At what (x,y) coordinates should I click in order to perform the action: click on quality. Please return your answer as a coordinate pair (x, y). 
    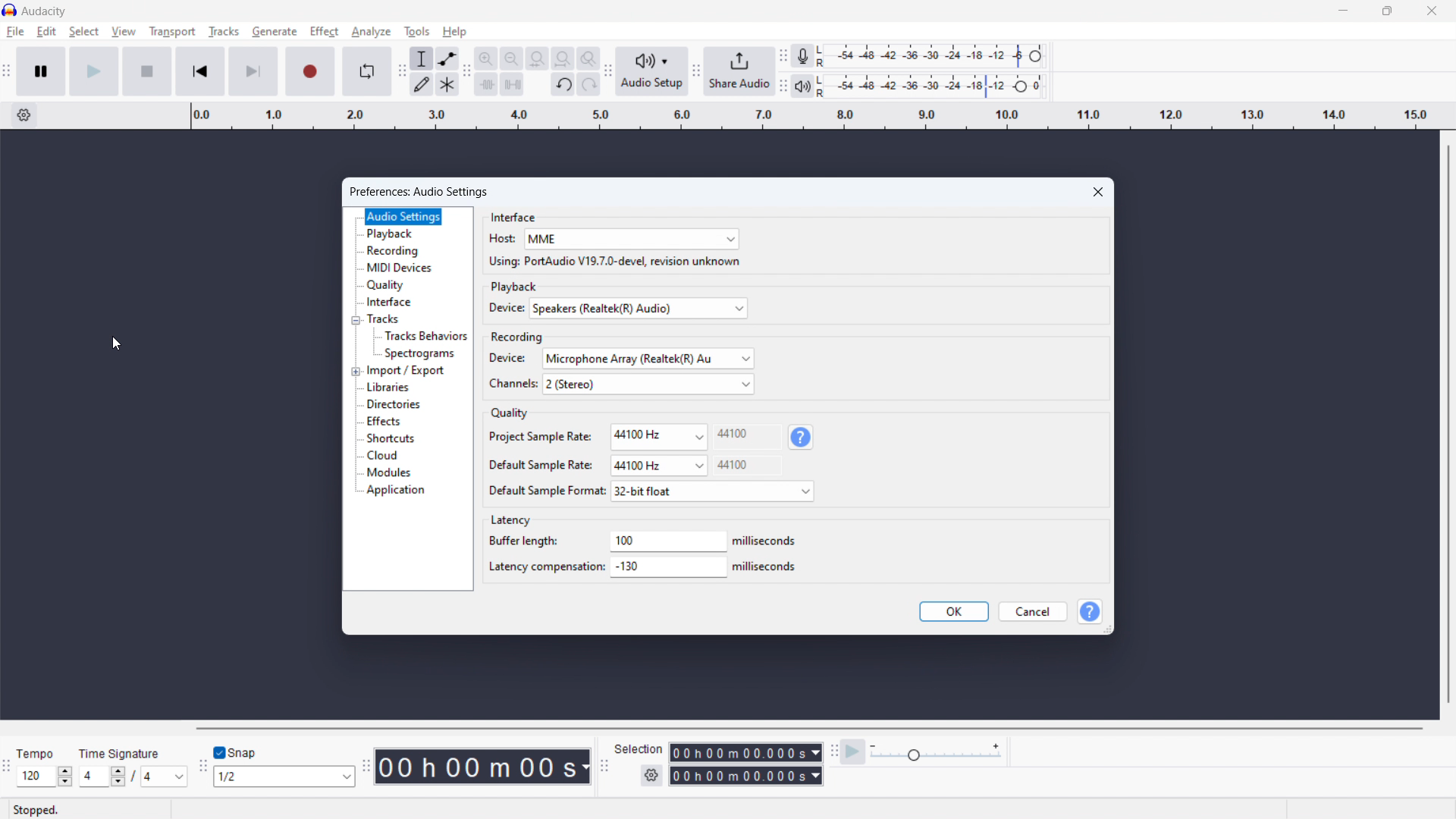
    Looking at the image, I should click on (508, 413).